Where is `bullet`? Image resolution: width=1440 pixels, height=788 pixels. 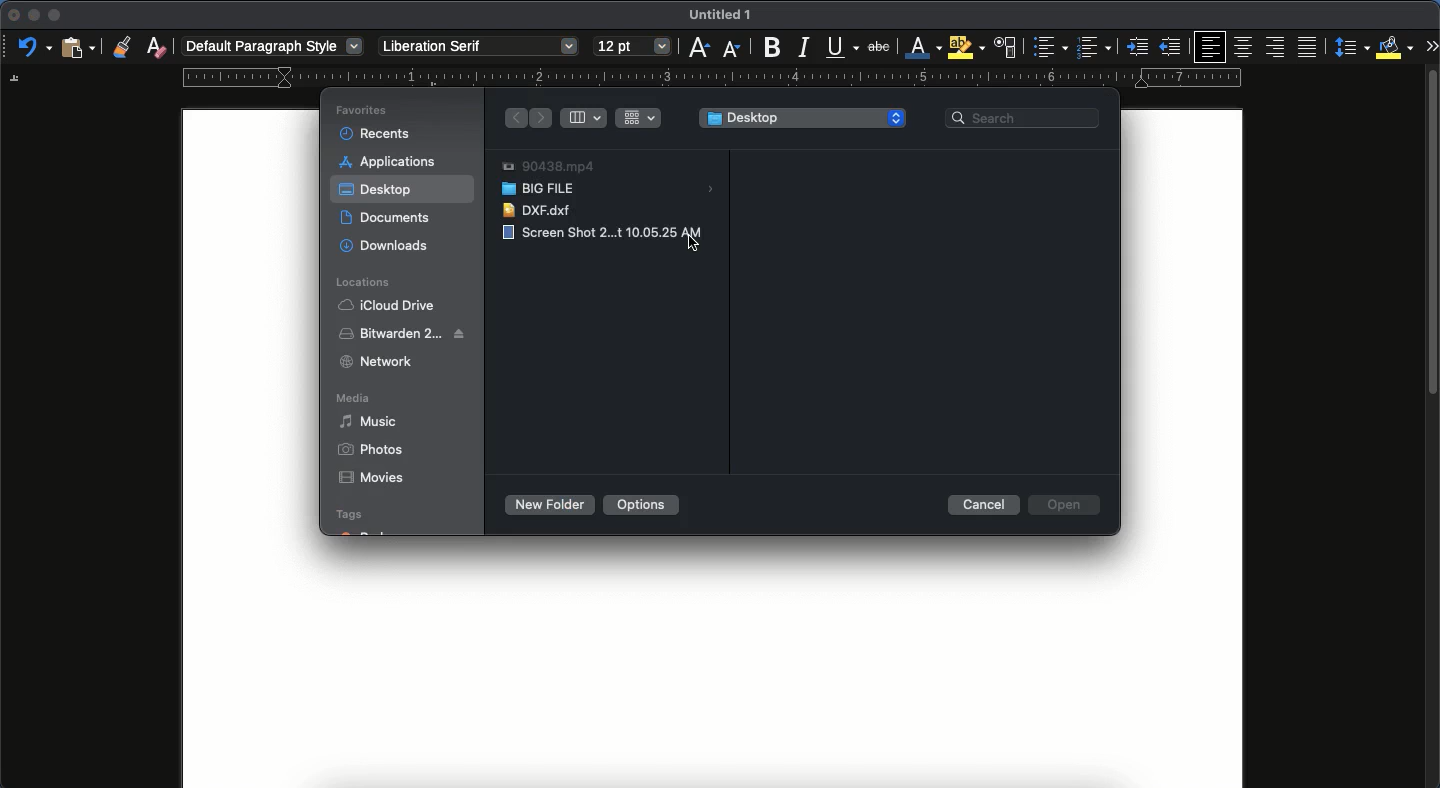
bullet is located at coordinates (1048, 47).